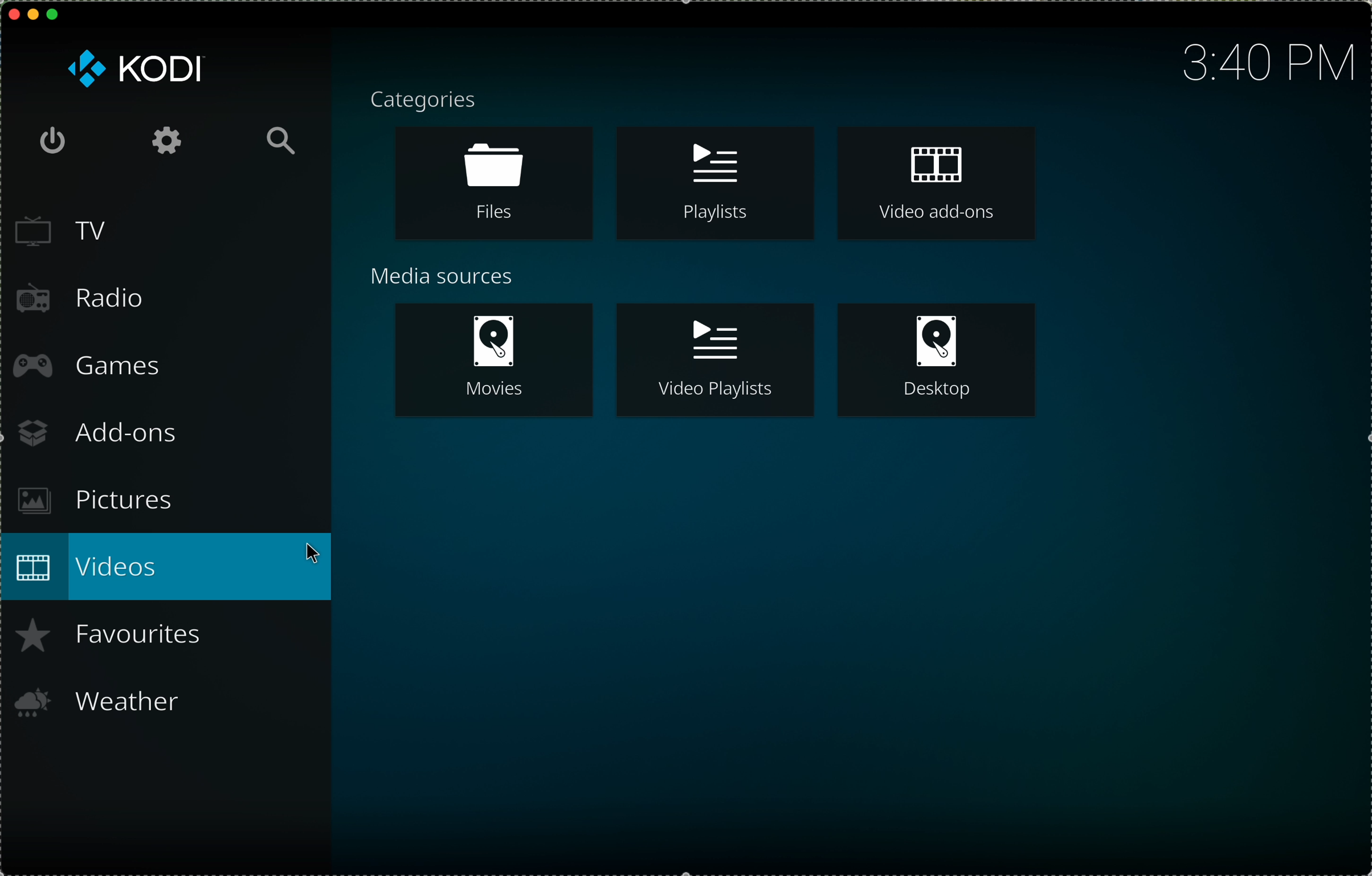  Describe the element at coordinates (1262, 64) in the screenshot. I see `hour` at that location.